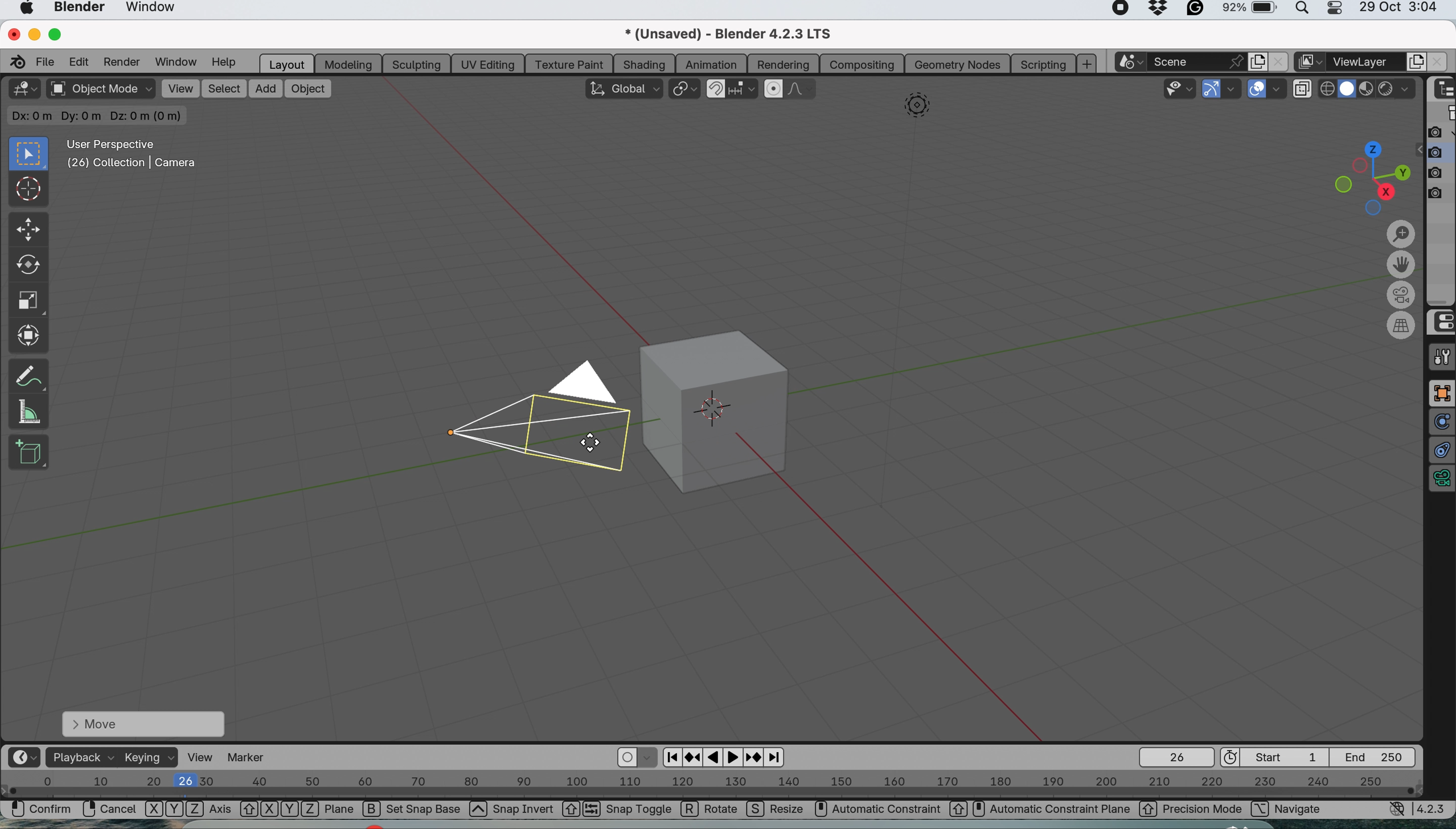 This screenshot has width=1456, height=829. Describe the element at coordinates (1436, 63) in the screenshot. I see `close` at that location.